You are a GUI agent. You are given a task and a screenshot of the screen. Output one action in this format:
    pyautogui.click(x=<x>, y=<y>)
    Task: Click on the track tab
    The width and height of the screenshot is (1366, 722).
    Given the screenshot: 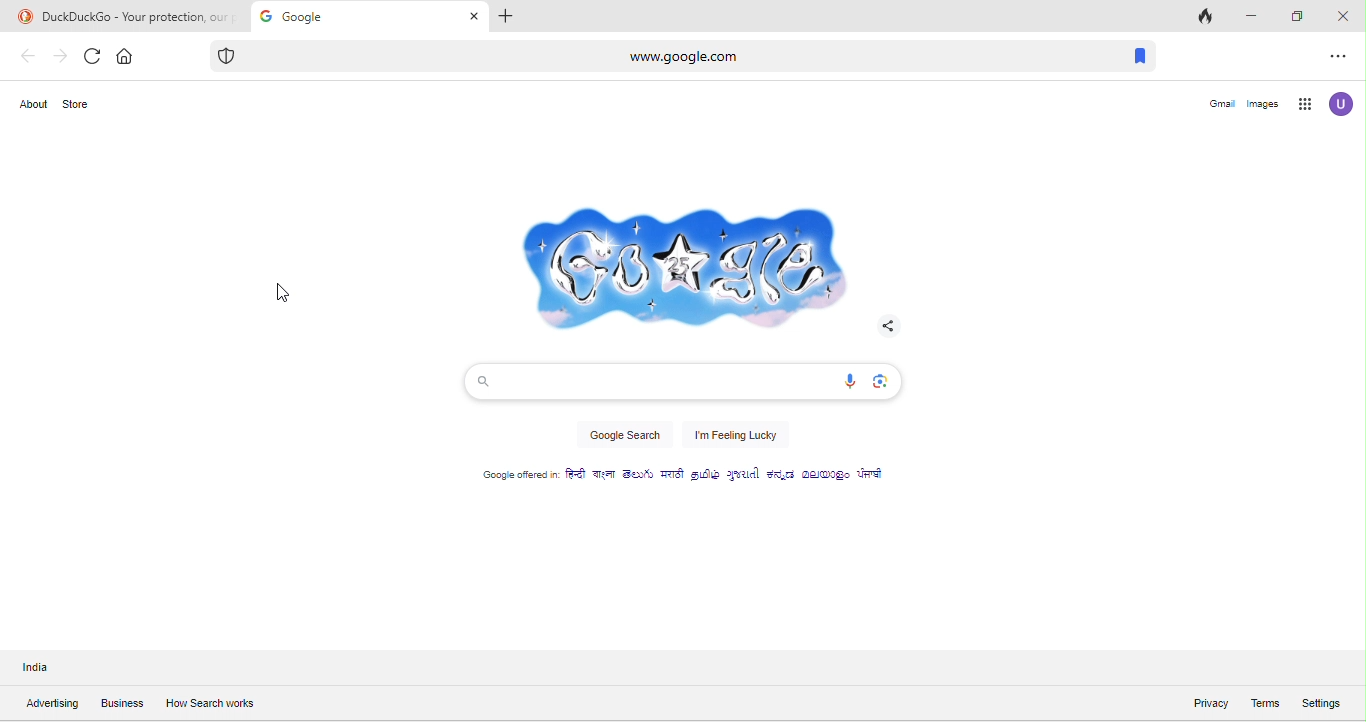 What is the action you would take?
    pyautogui.click(x=1207, y=18)
    